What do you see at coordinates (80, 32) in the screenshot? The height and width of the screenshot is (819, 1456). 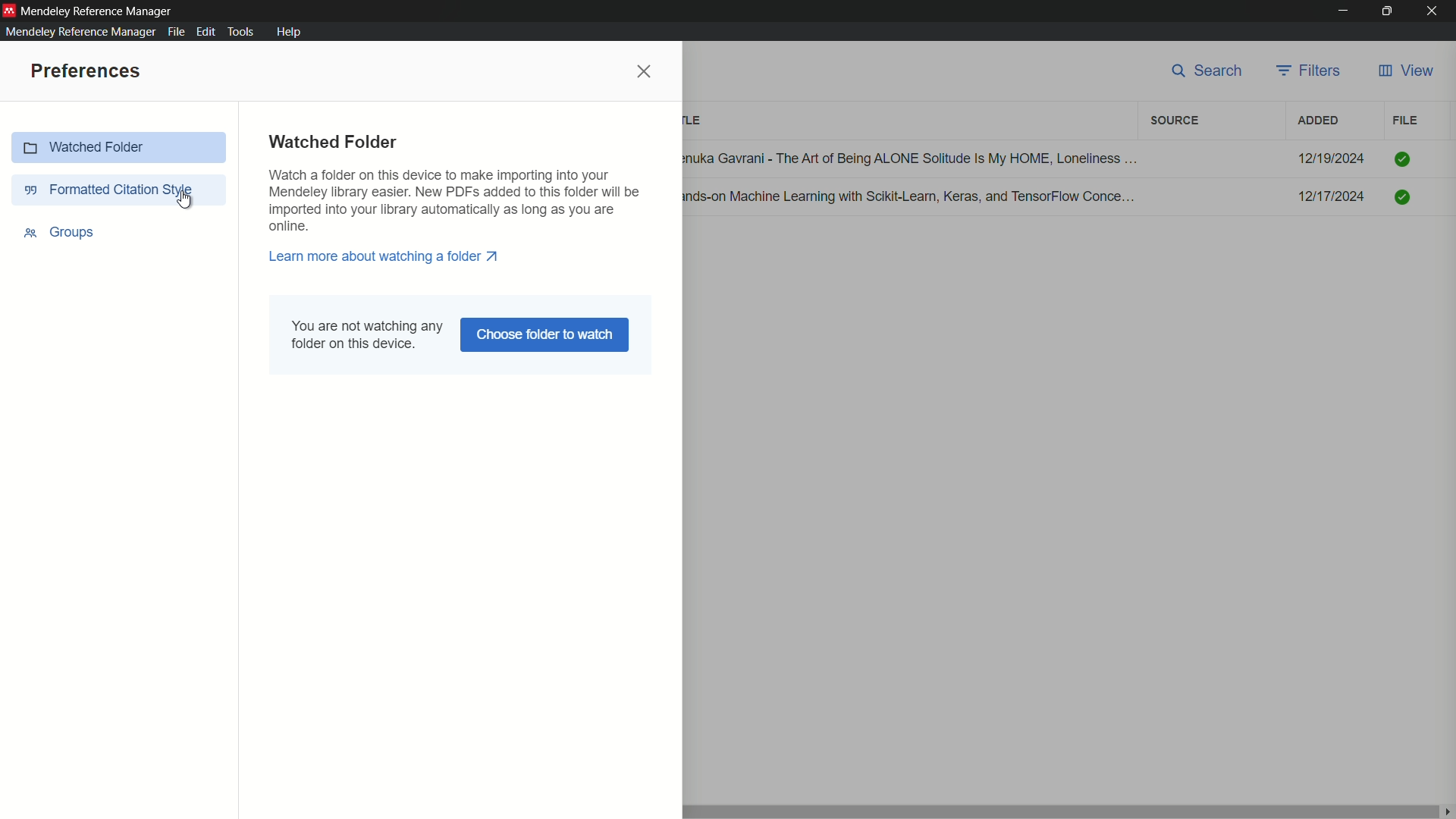 I see `mendeley reference manager` at bounding box center [80, 32].